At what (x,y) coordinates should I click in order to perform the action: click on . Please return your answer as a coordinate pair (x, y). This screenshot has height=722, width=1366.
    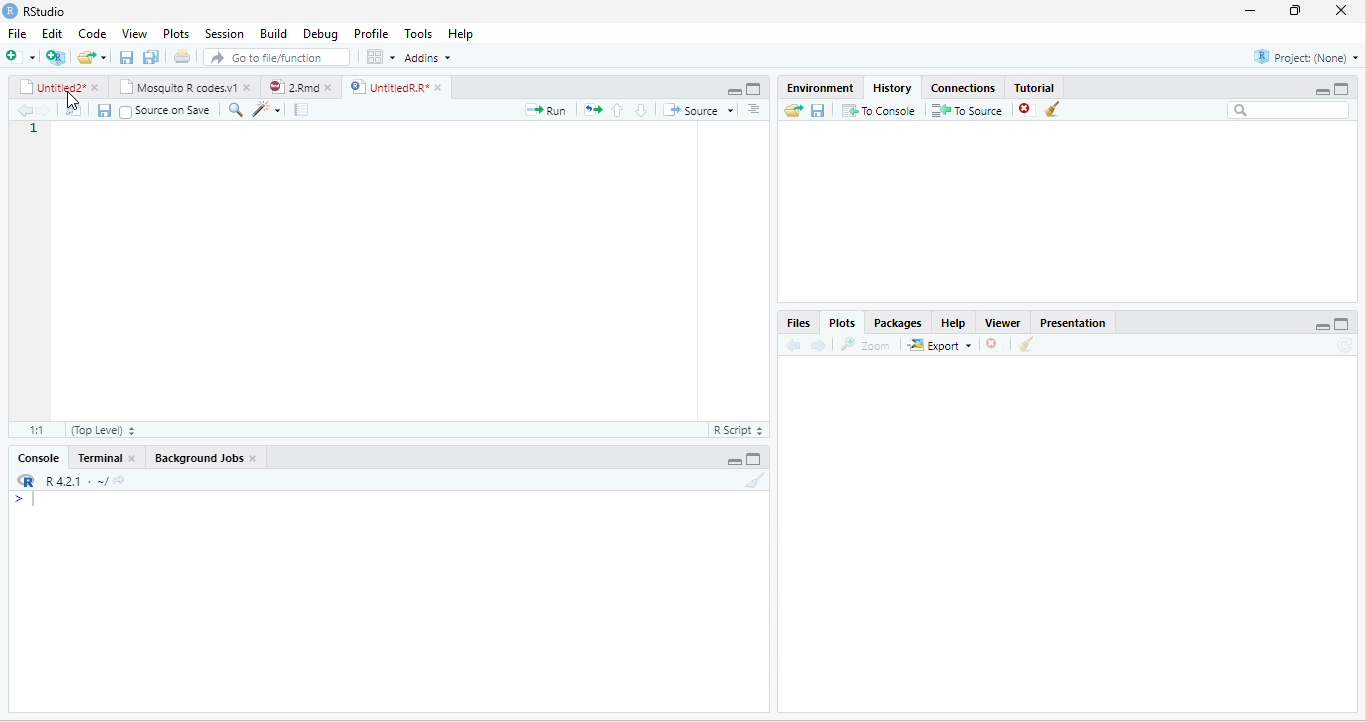
    Looking at the image, I should click on (153, 55).